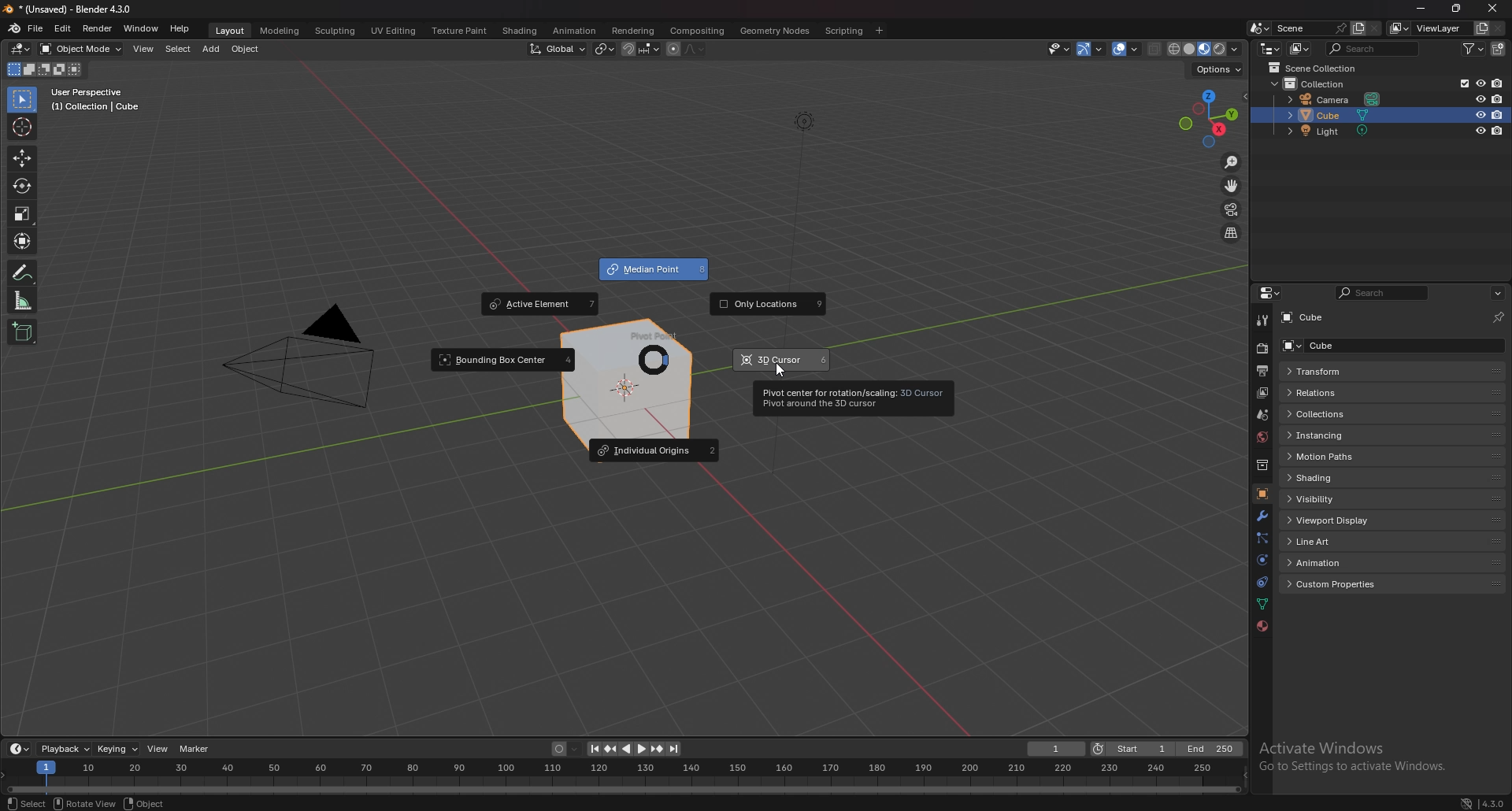 This screenshot has height=811, width=1512. What do you see at coordinates (96, 99) in the screenshot?
I see `info` at bounding box center [96, 99].